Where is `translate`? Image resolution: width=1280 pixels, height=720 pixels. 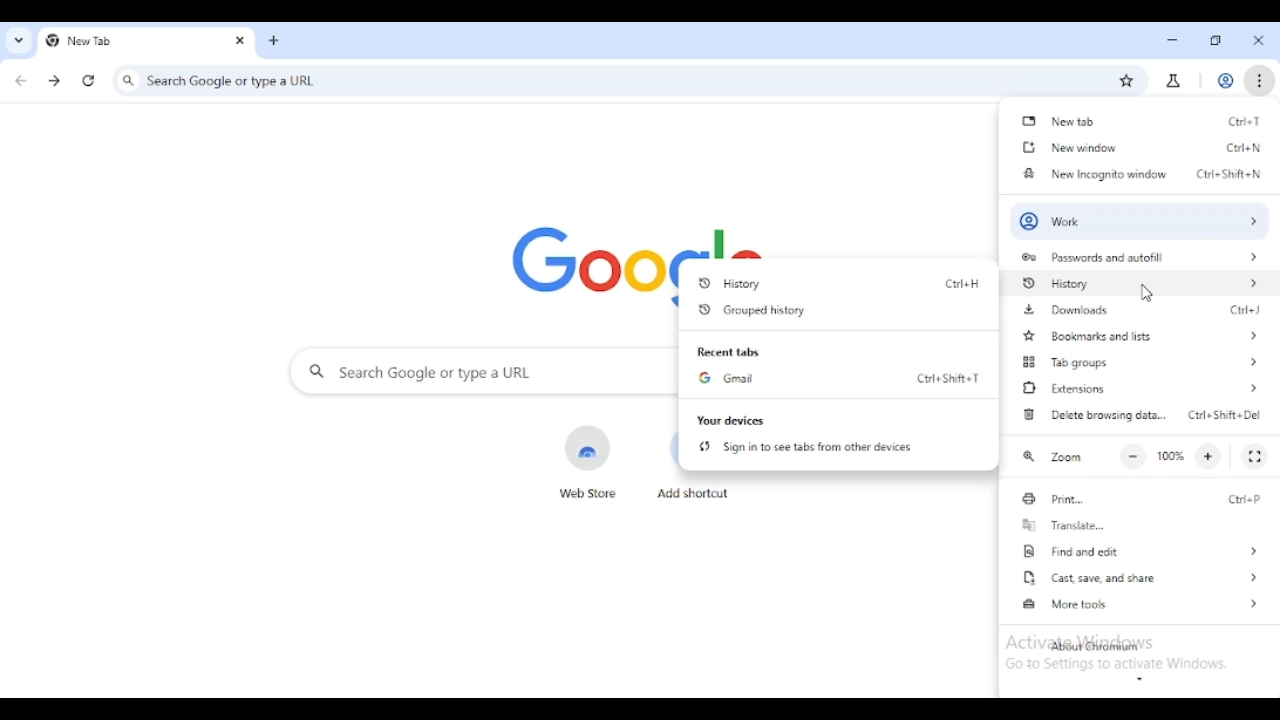 translate is located at coordinates (1062, 525).